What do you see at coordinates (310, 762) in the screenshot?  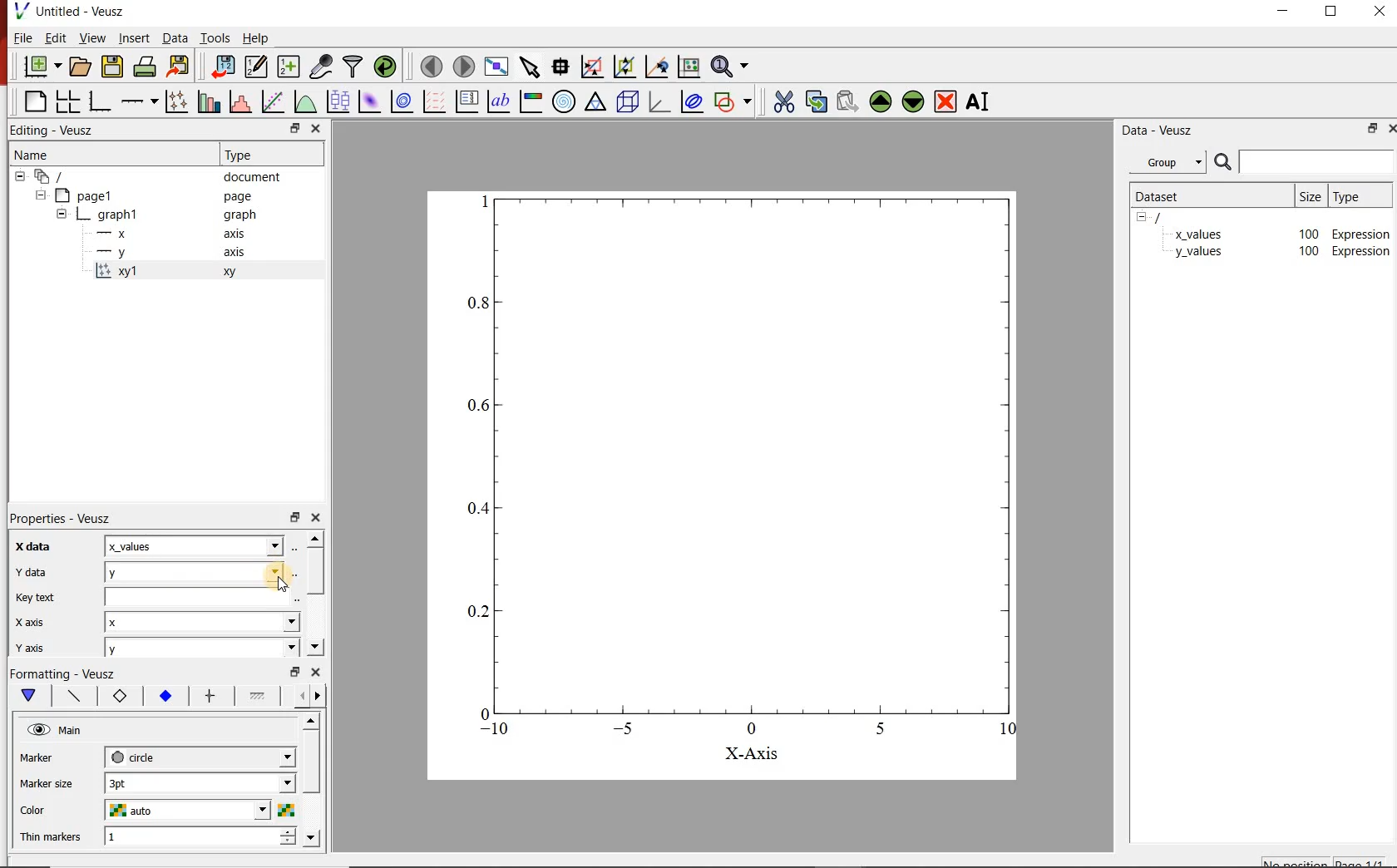 I see `vertical scrollbar` at bounding box center [310, 762].